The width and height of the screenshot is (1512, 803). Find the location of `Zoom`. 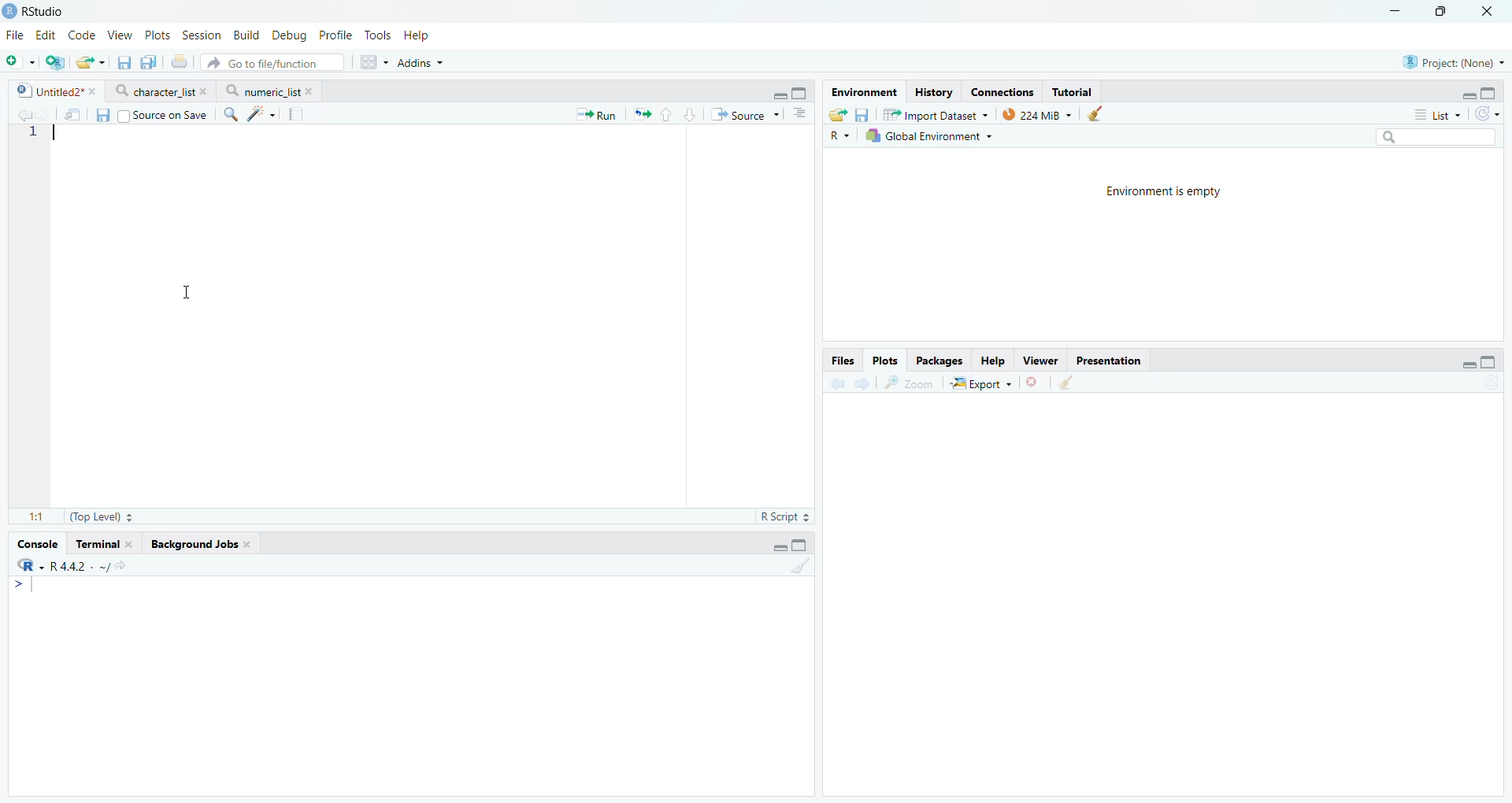

Zoom is located at coordinates (910, 383).